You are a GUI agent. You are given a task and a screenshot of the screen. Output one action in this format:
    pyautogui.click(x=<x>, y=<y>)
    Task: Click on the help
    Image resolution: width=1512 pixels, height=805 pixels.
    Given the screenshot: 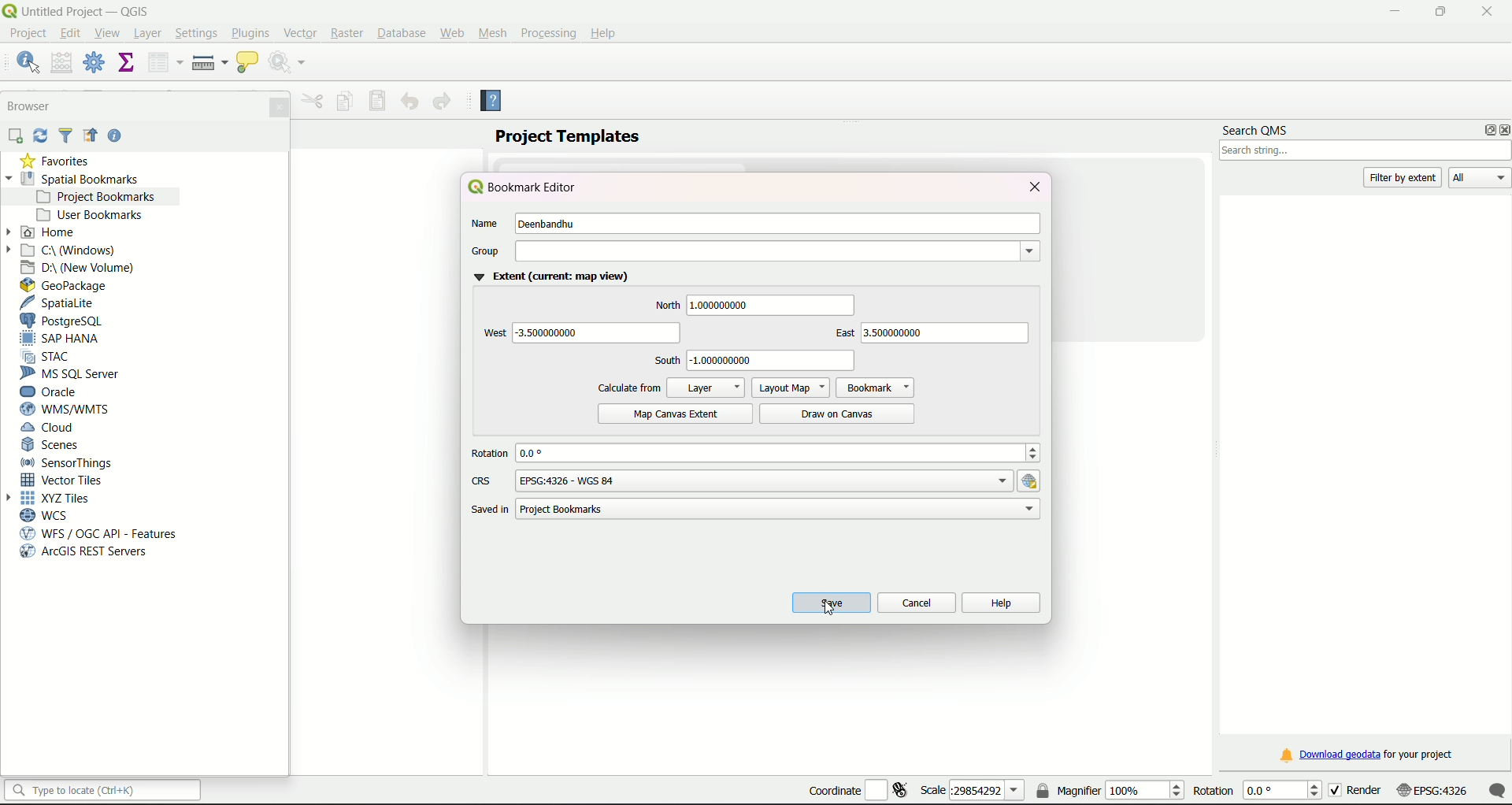 What is the action you would take?
    pyautogui.click(x=1001, y=603)
    